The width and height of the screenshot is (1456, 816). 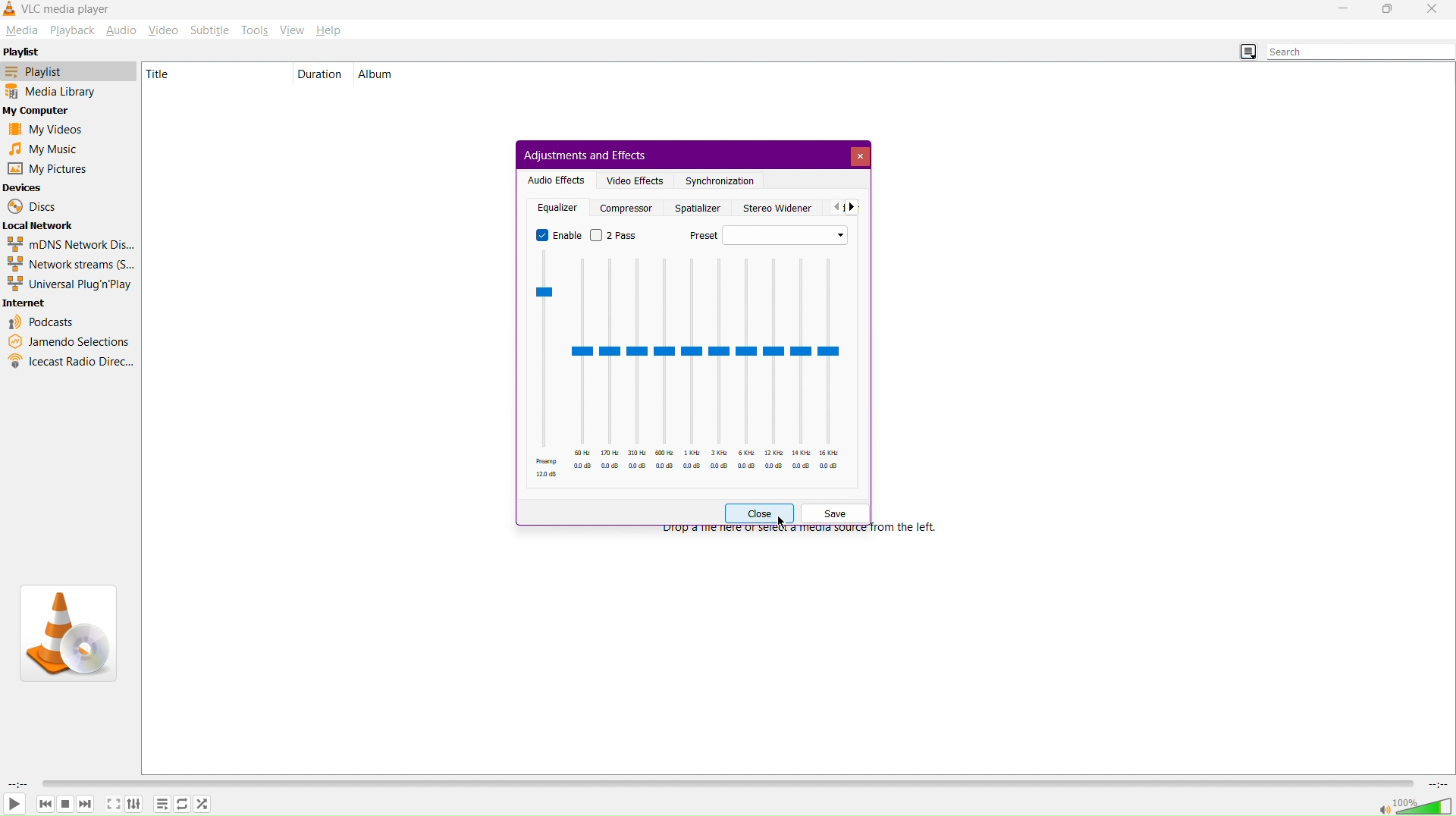 What do you see at coordinates (87, 803) in the screenshot?
I see `Forward` at bounding box center [87, 803].